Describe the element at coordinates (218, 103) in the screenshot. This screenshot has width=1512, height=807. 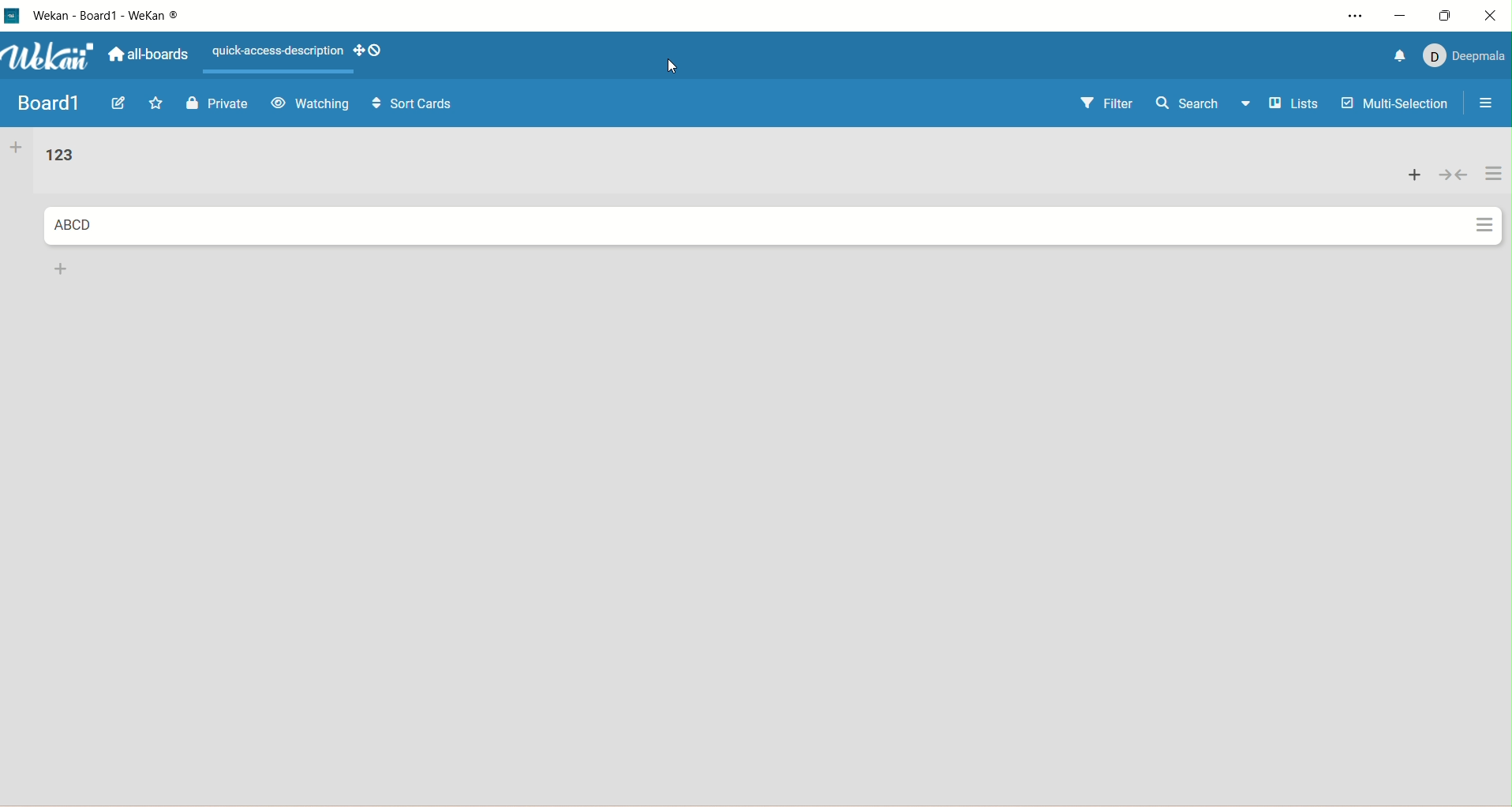
I see `private` at that location.